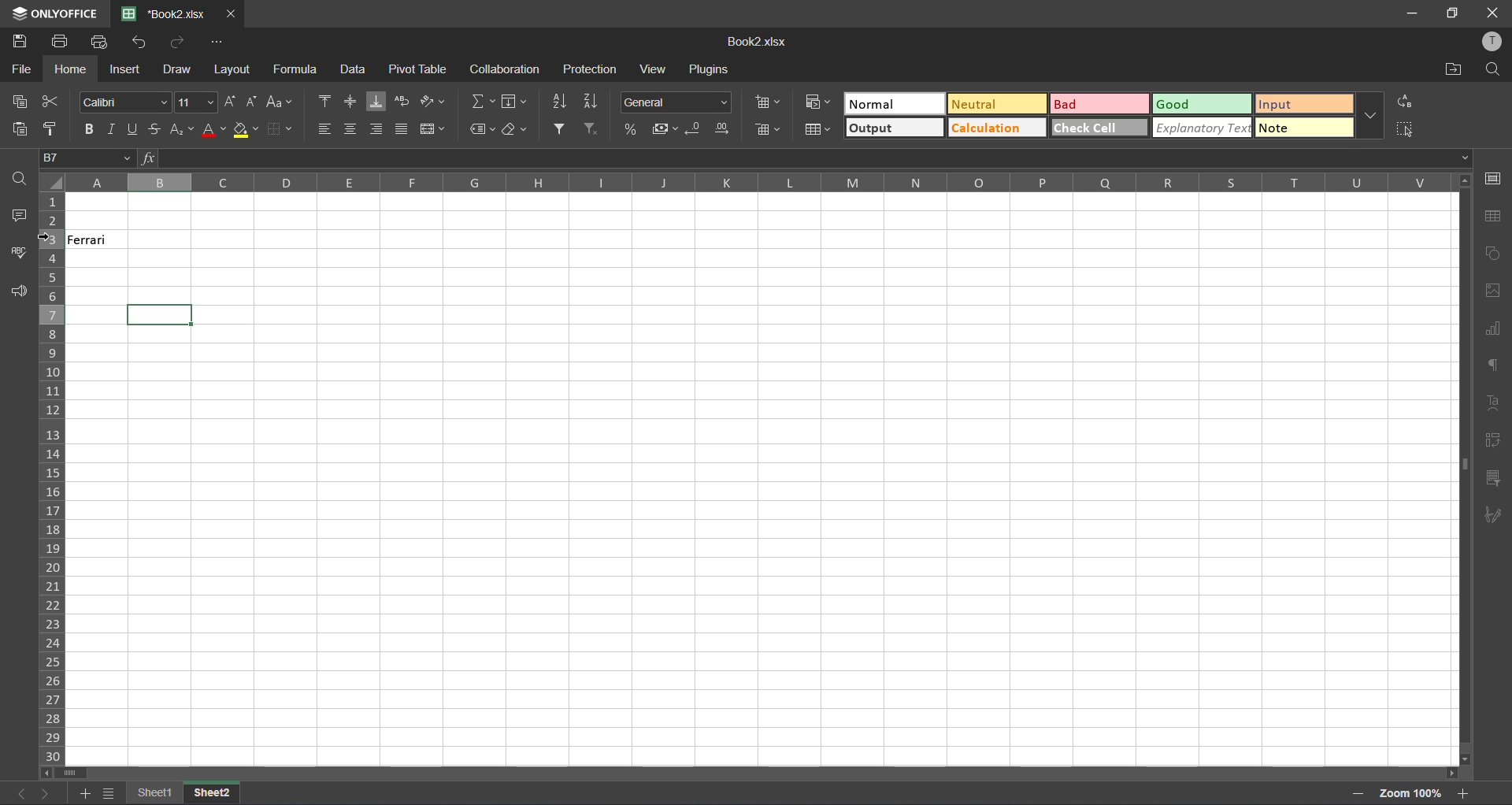  I want to click on summation, so click(480, 103).